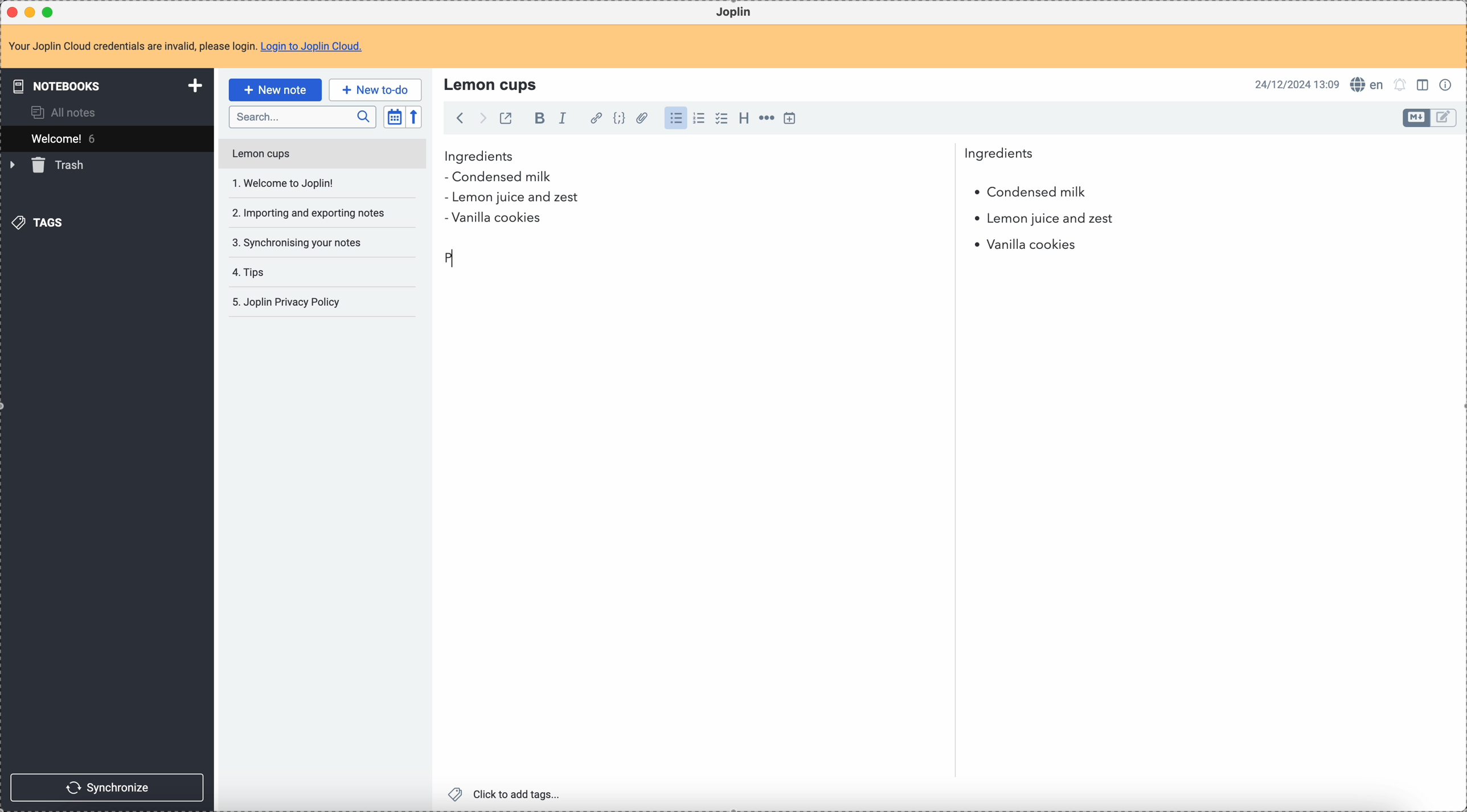 The height and width of the screenshot is (812, 1467). I want to click on spell checker, so click(1370, 84).